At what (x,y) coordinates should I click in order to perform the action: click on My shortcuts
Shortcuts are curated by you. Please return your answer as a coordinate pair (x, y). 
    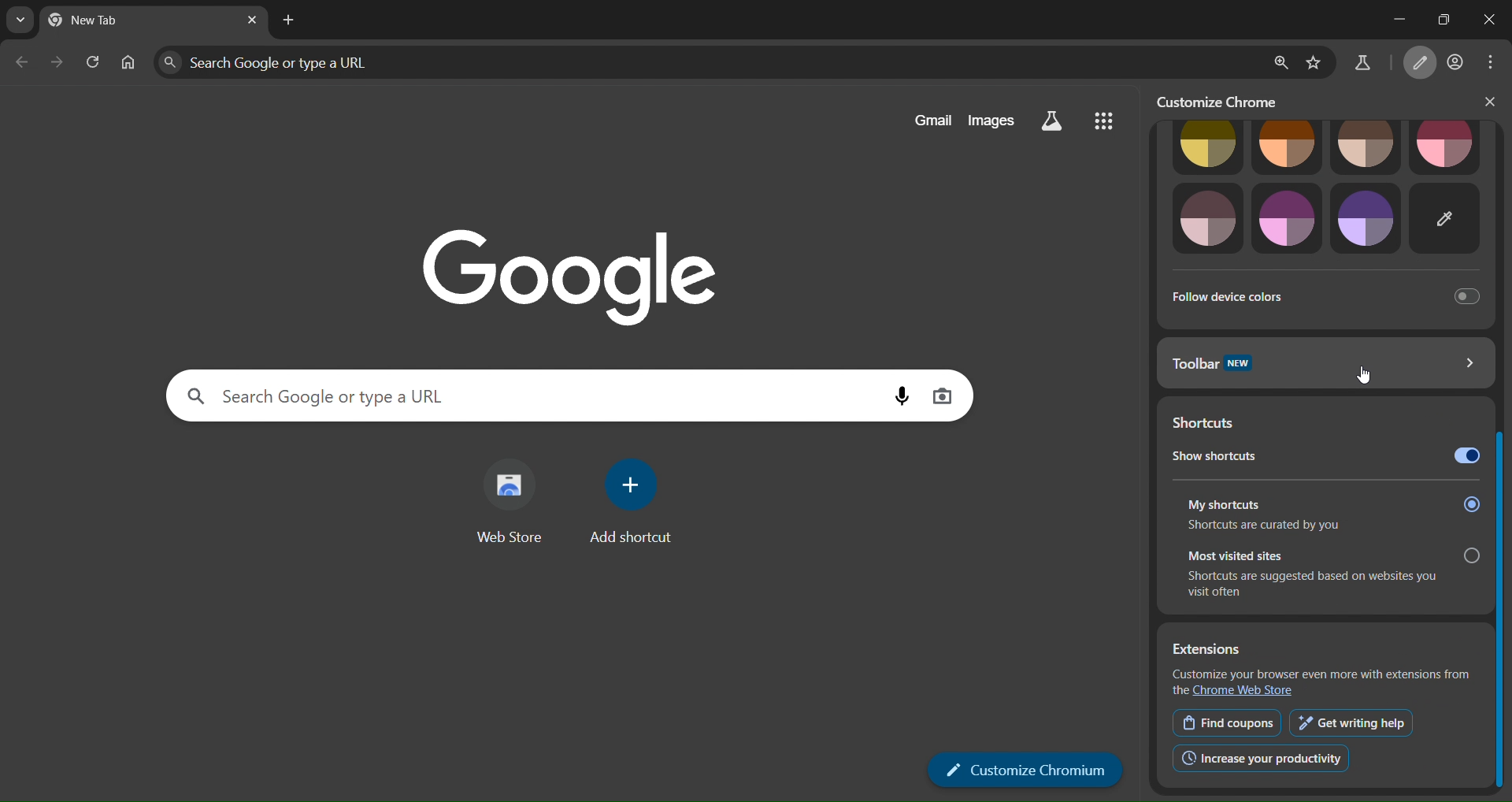
    Looking at the image, I should click on (1330, 513).